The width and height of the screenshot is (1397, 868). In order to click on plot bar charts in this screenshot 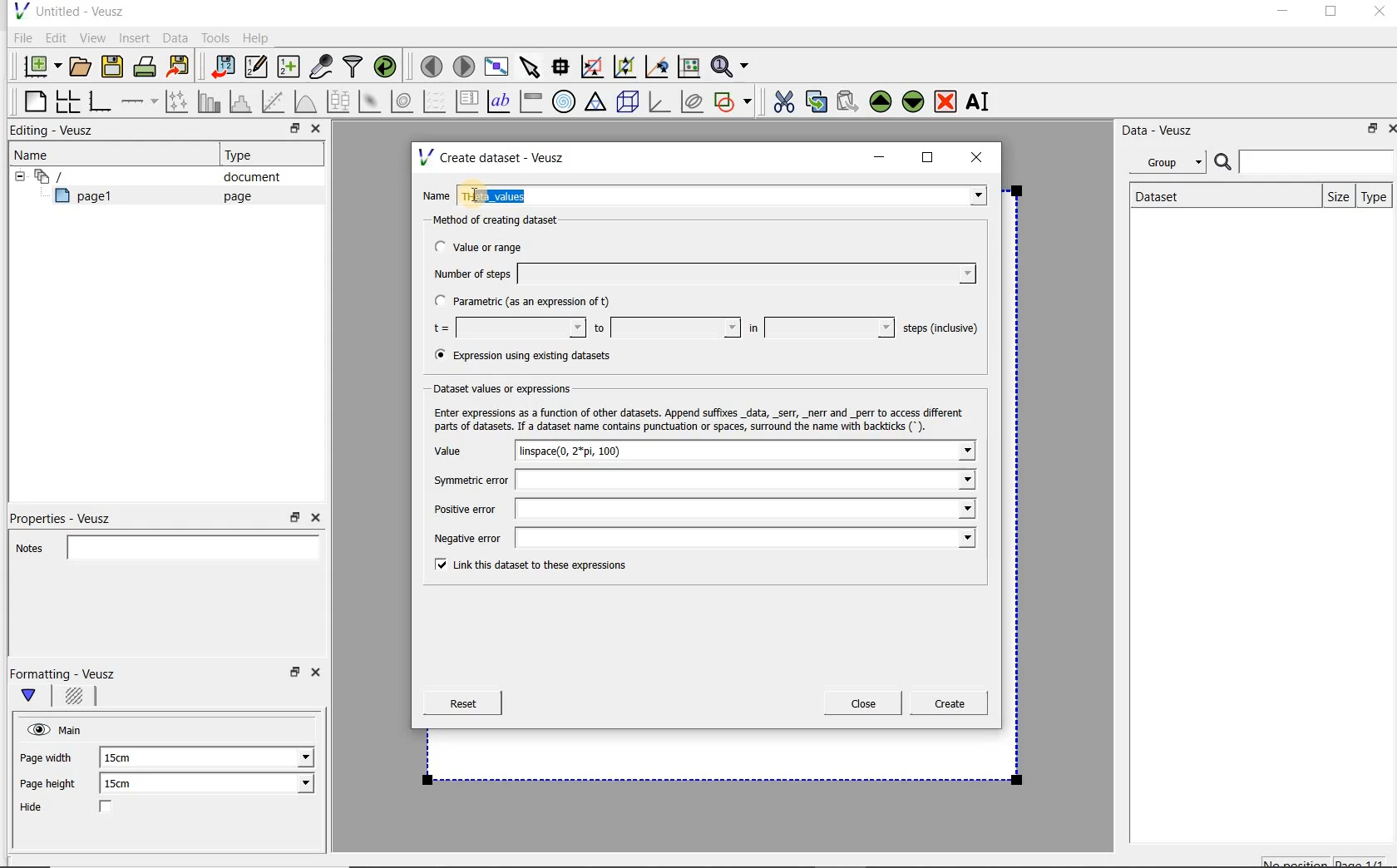, I will do `click(210, 101)`.